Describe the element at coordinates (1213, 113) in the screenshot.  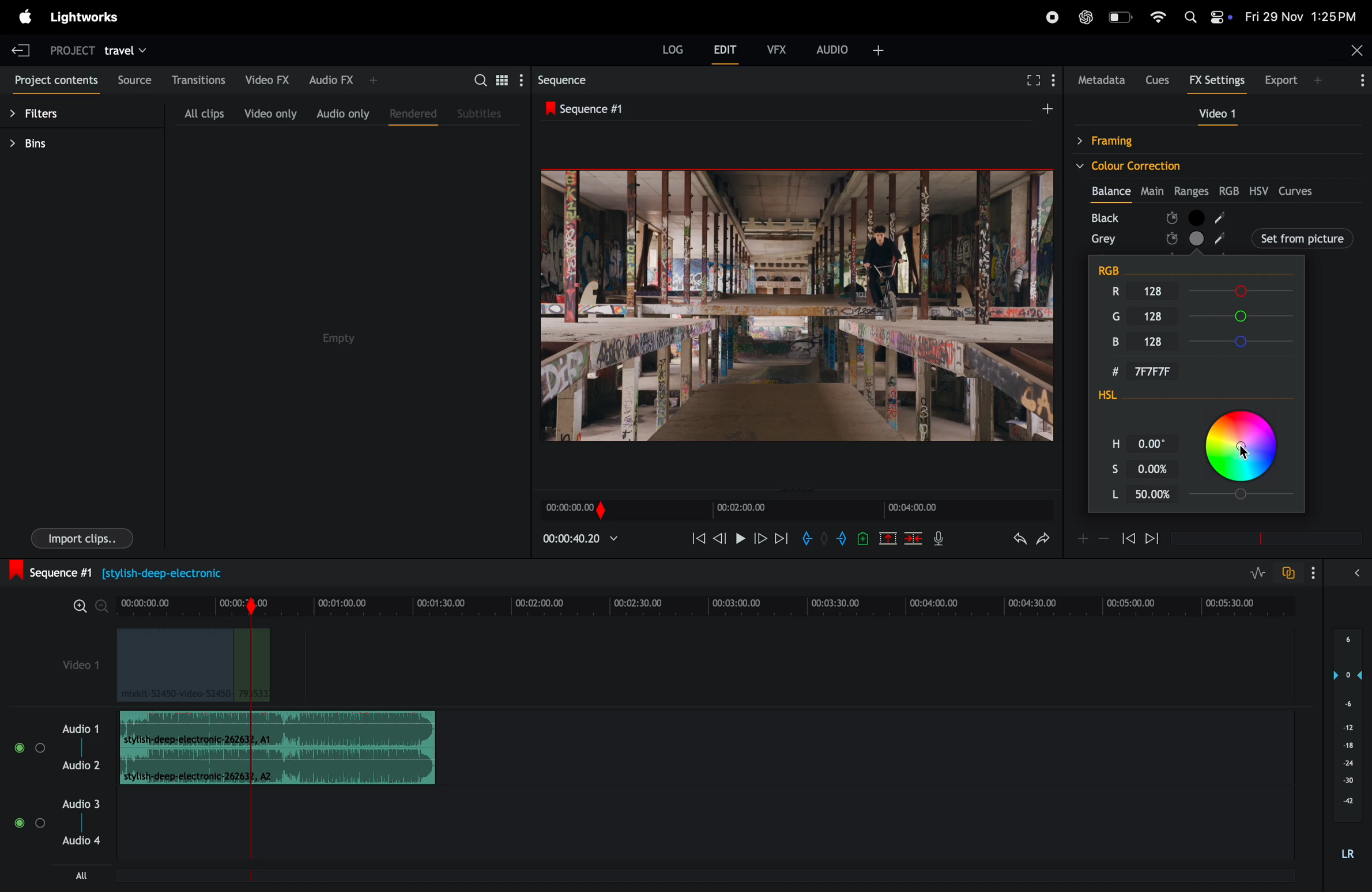
I see `video 1` at that location.